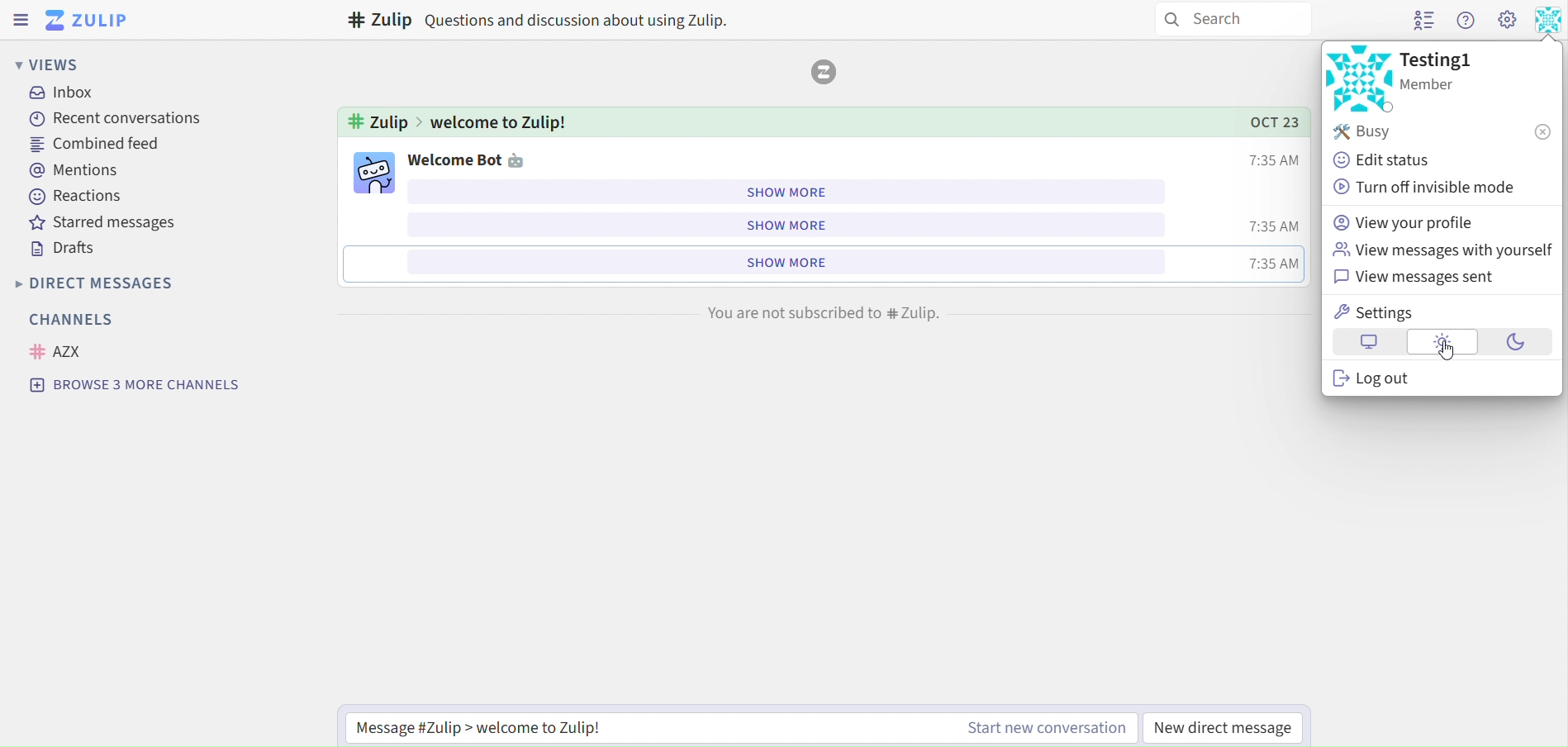 Image resolution: width=1568 pixels, height=747 pixels. What do you see at coordinates (1445, 351) in the screenshot?
I see `Cursor` at bounding box center [1445, 351].